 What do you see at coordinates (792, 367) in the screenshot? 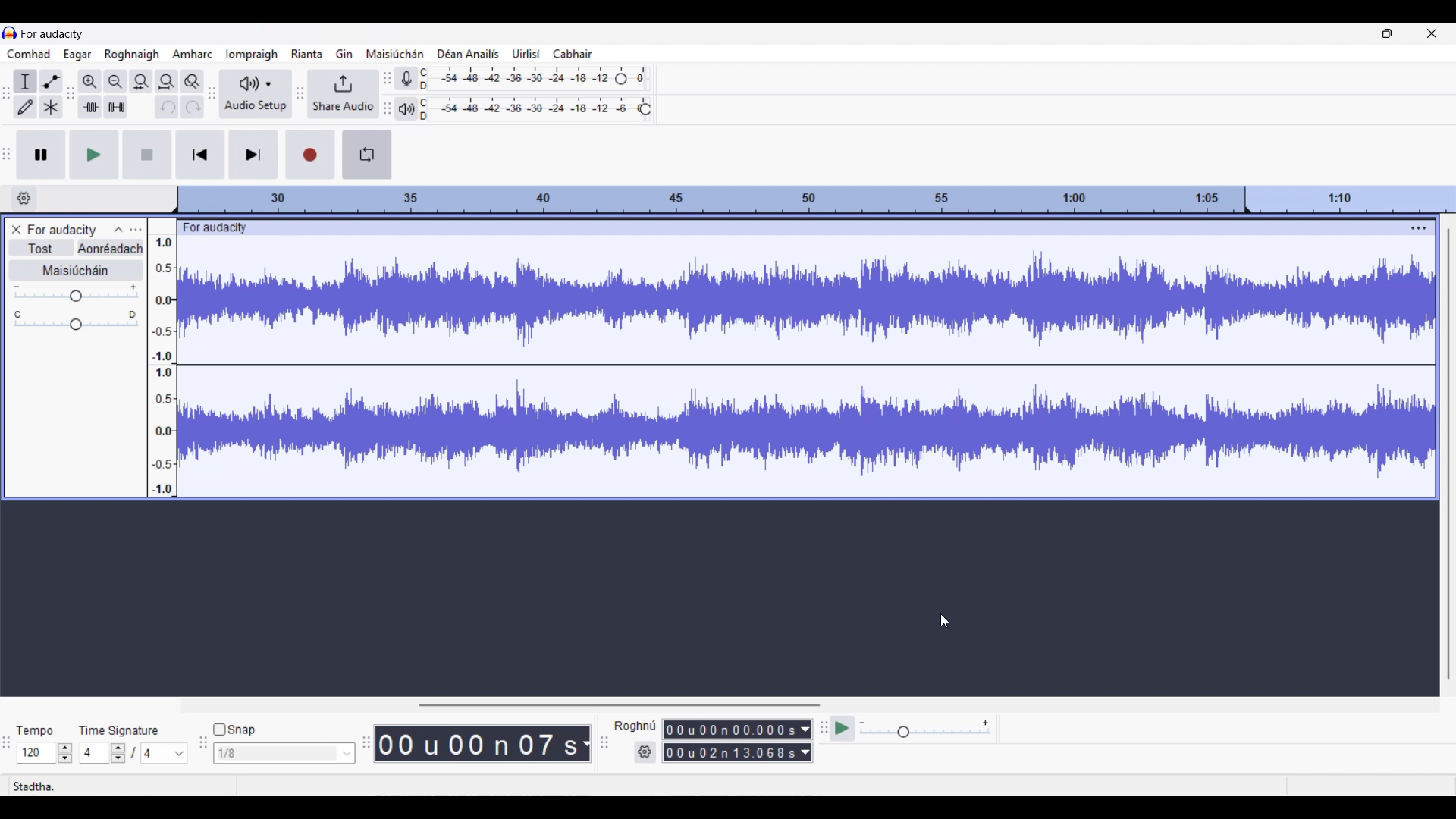
I see `Current track` at bounding box center [792, 367].